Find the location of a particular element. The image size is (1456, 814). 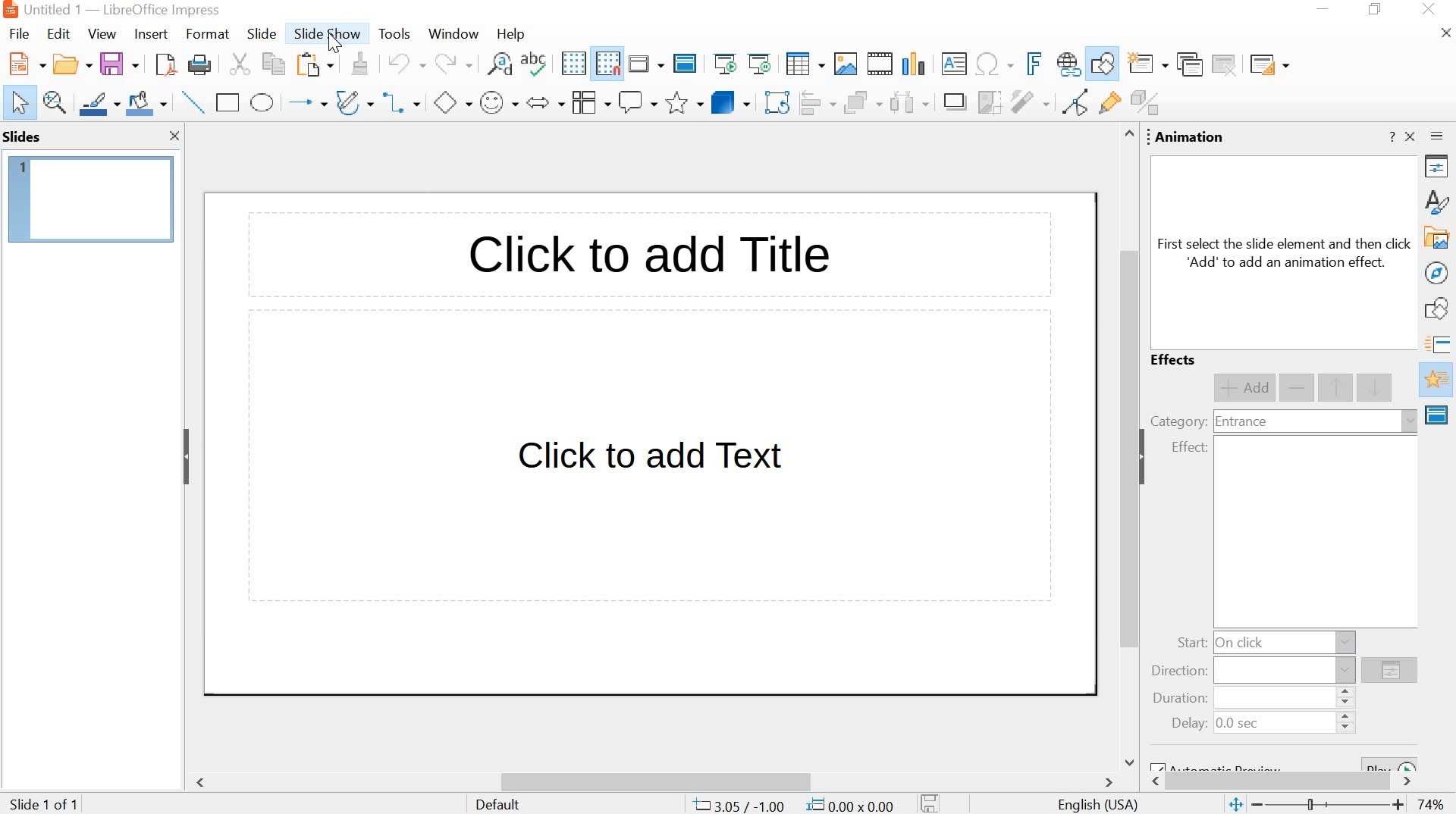

lines and arrows is located at coordinates (306, 103).